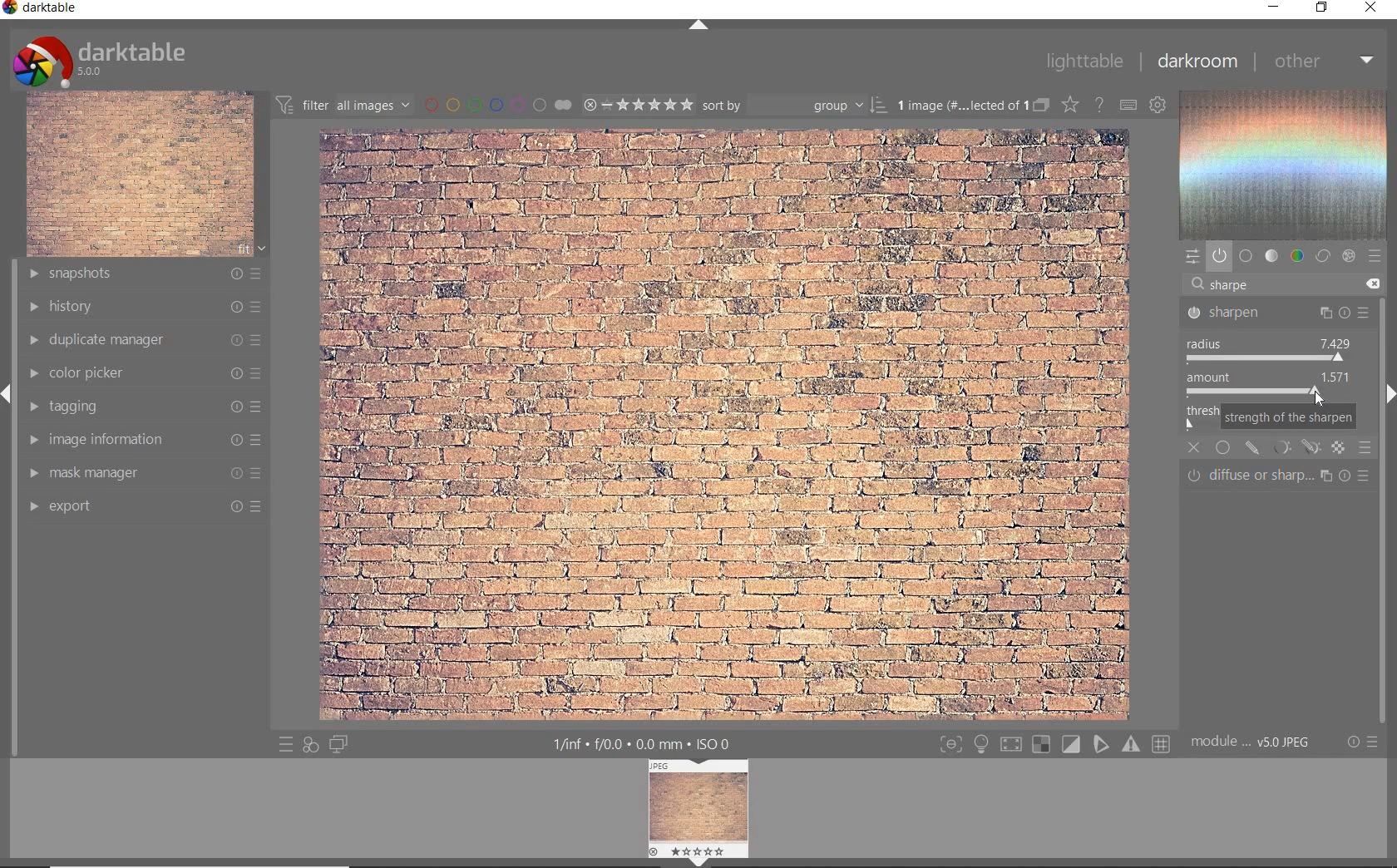 This screenshot has width=1397, height=868. I want to click on wave form, so click(1288, 165).